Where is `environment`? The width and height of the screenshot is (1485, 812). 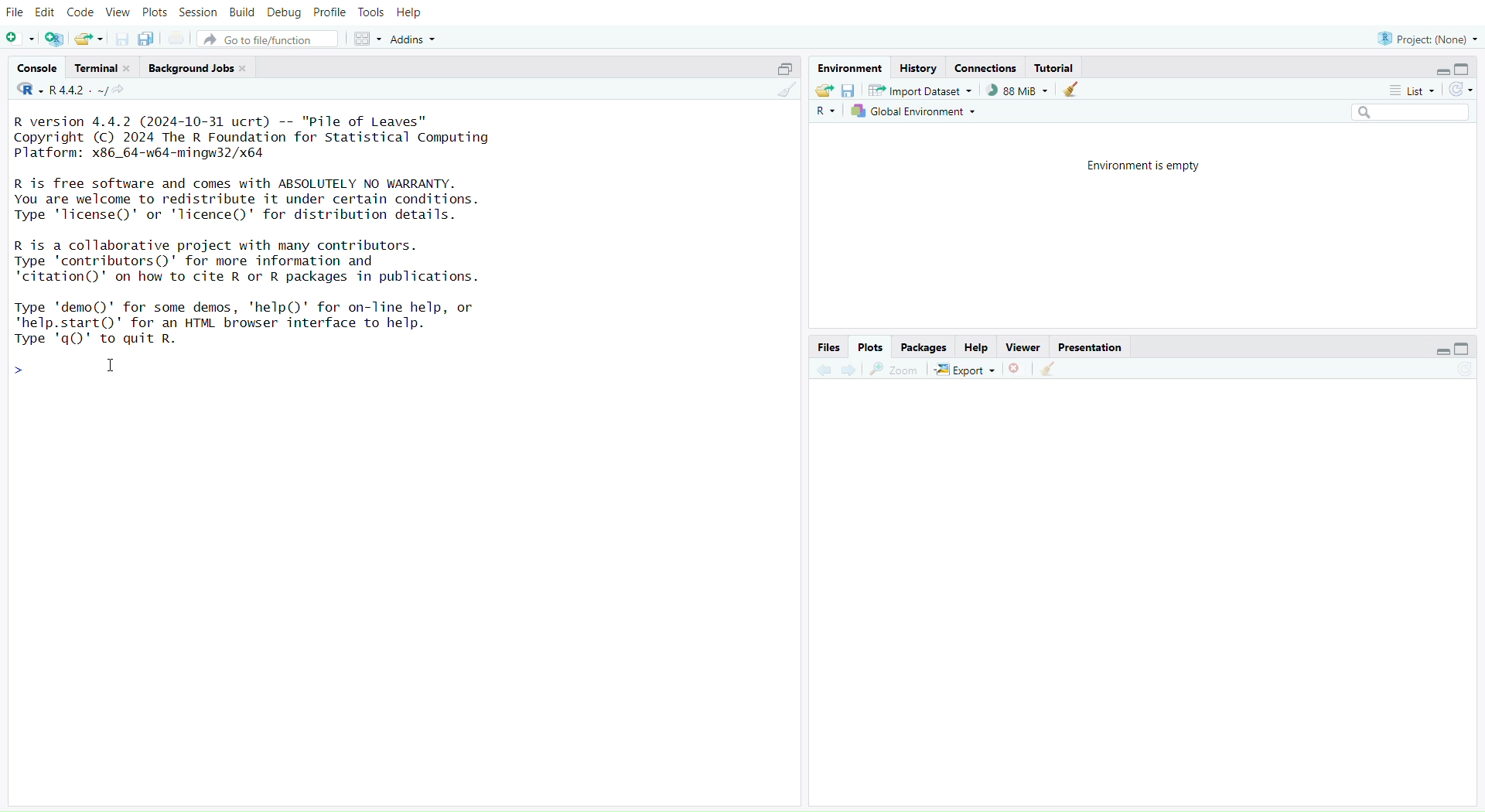 environment is located at coordinates (847, 68).